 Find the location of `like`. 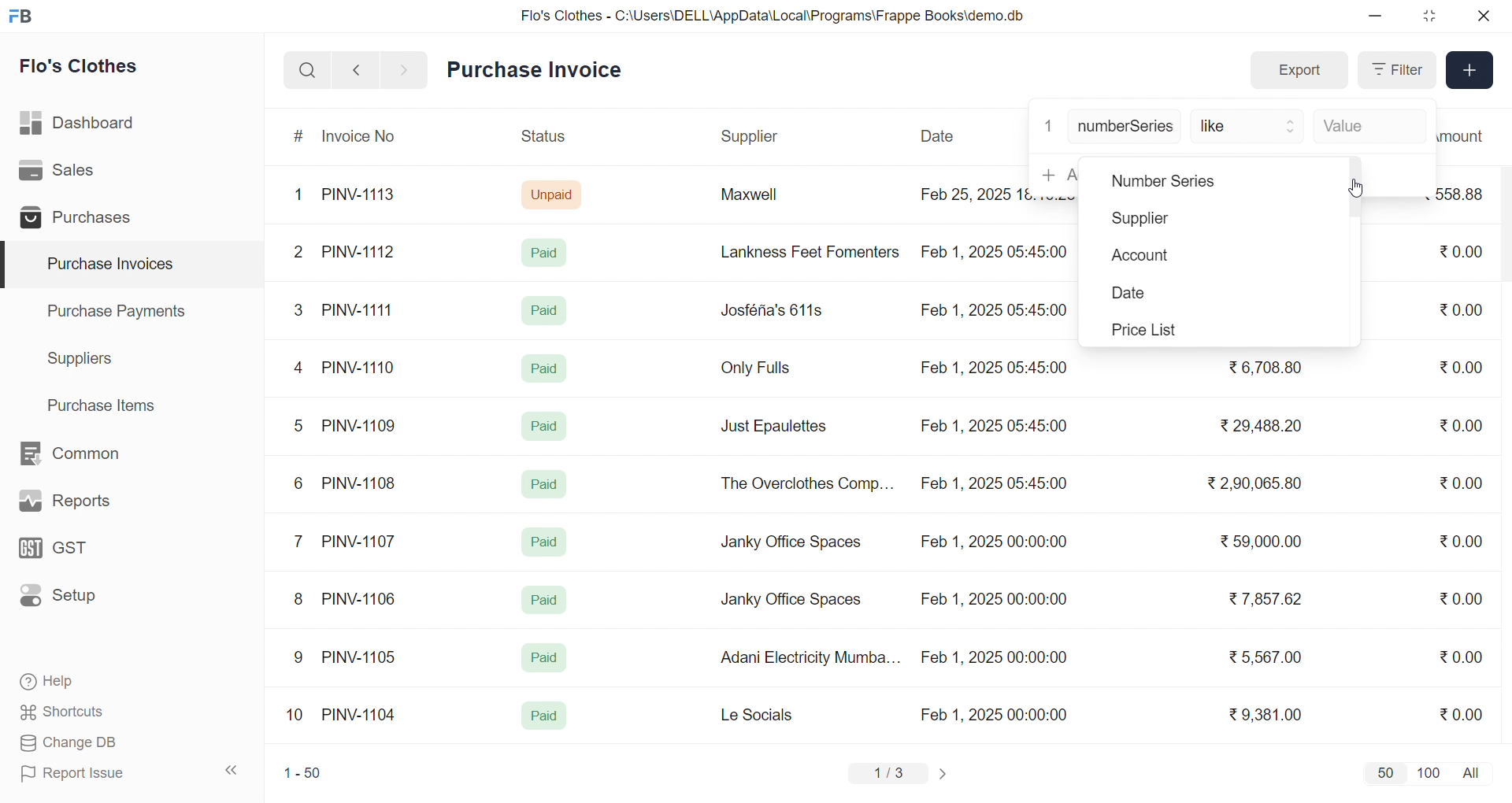

like is located at coordinates (1249, 128).